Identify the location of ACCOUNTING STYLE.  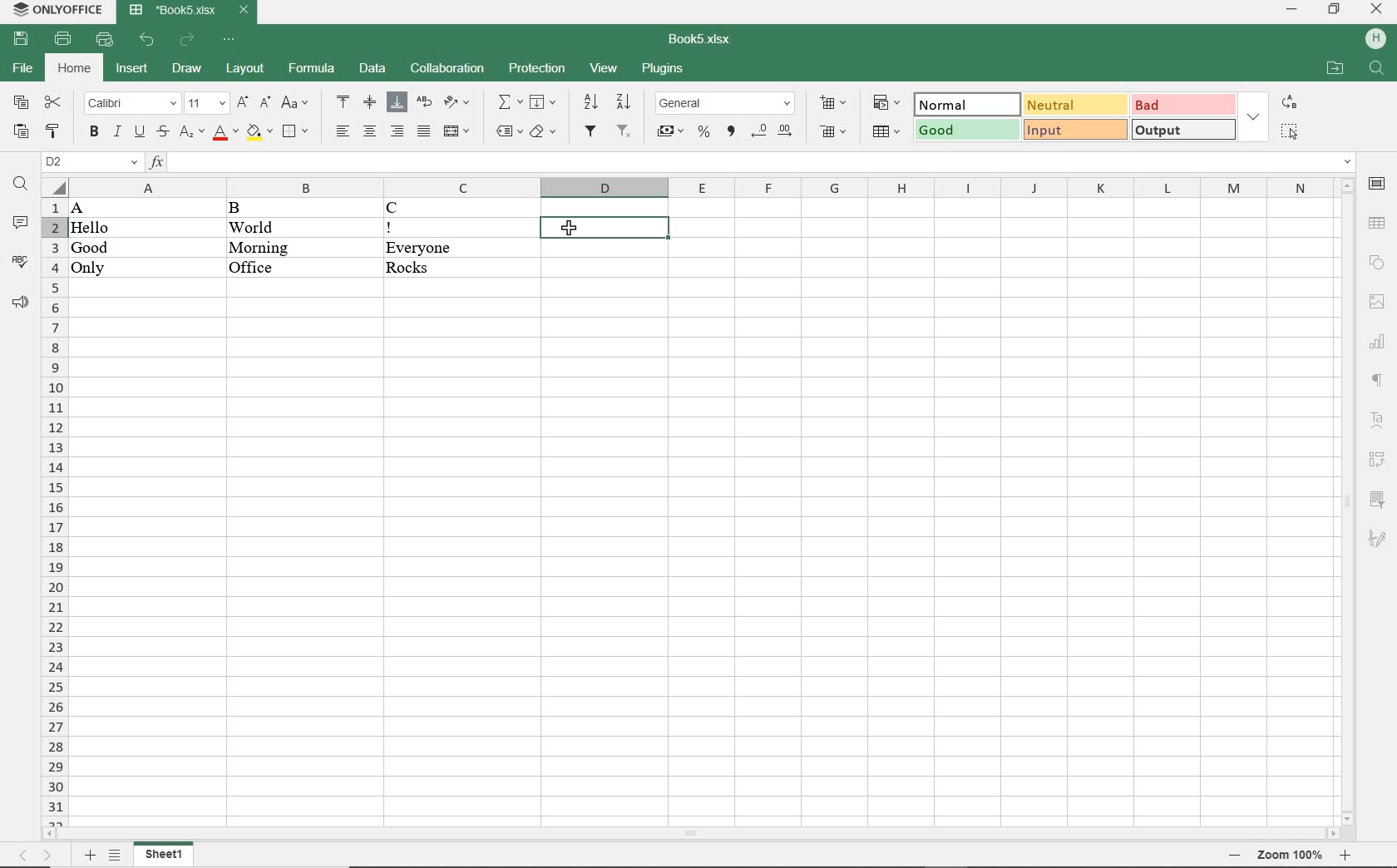
(669, 131).